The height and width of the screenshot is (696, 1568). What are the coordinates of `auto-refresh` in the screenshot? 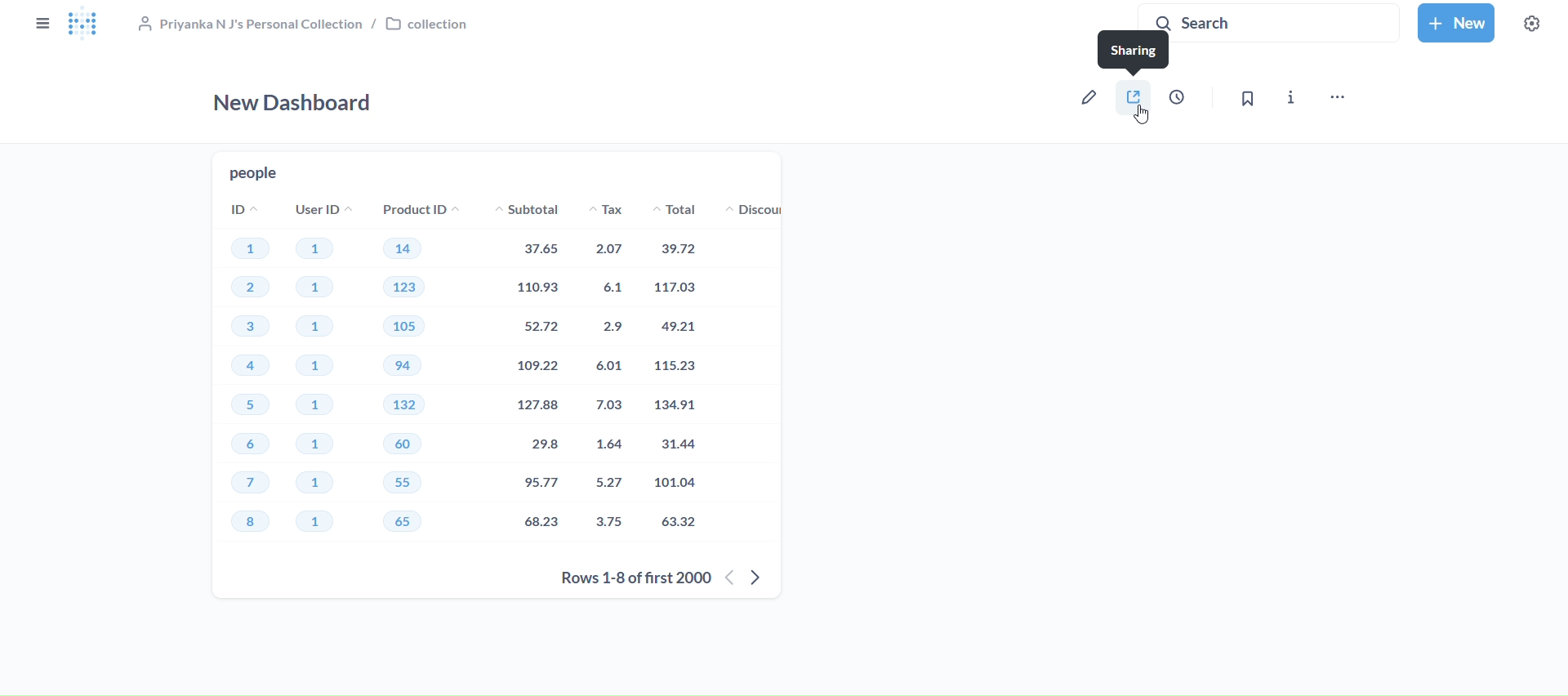 It's located at (1183, 96).